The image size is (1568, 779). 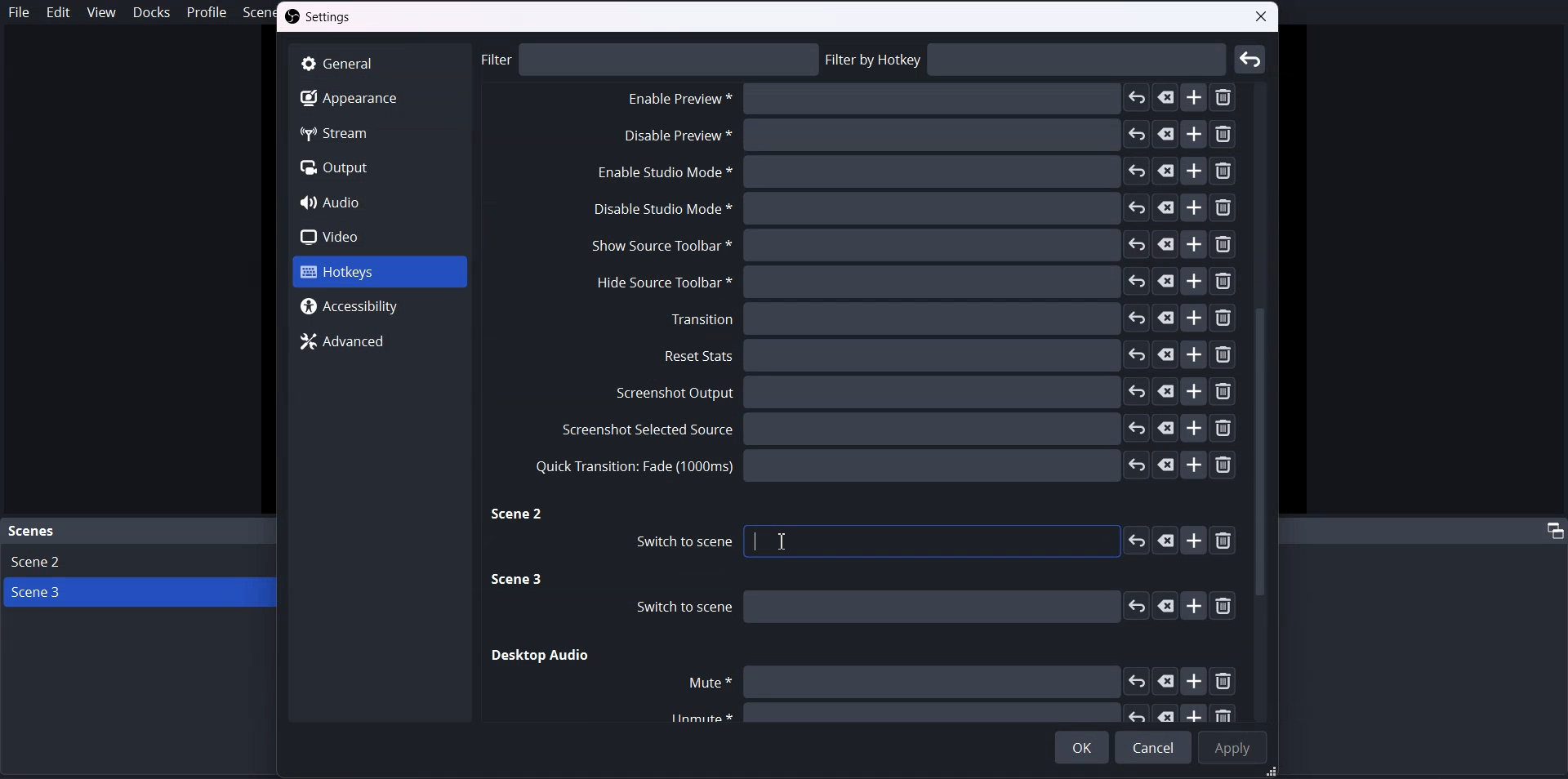 What do you see at coordinates (907, 282) in the screenshot?
I see `Hide source toolbar` at bounding box center [907, 282].